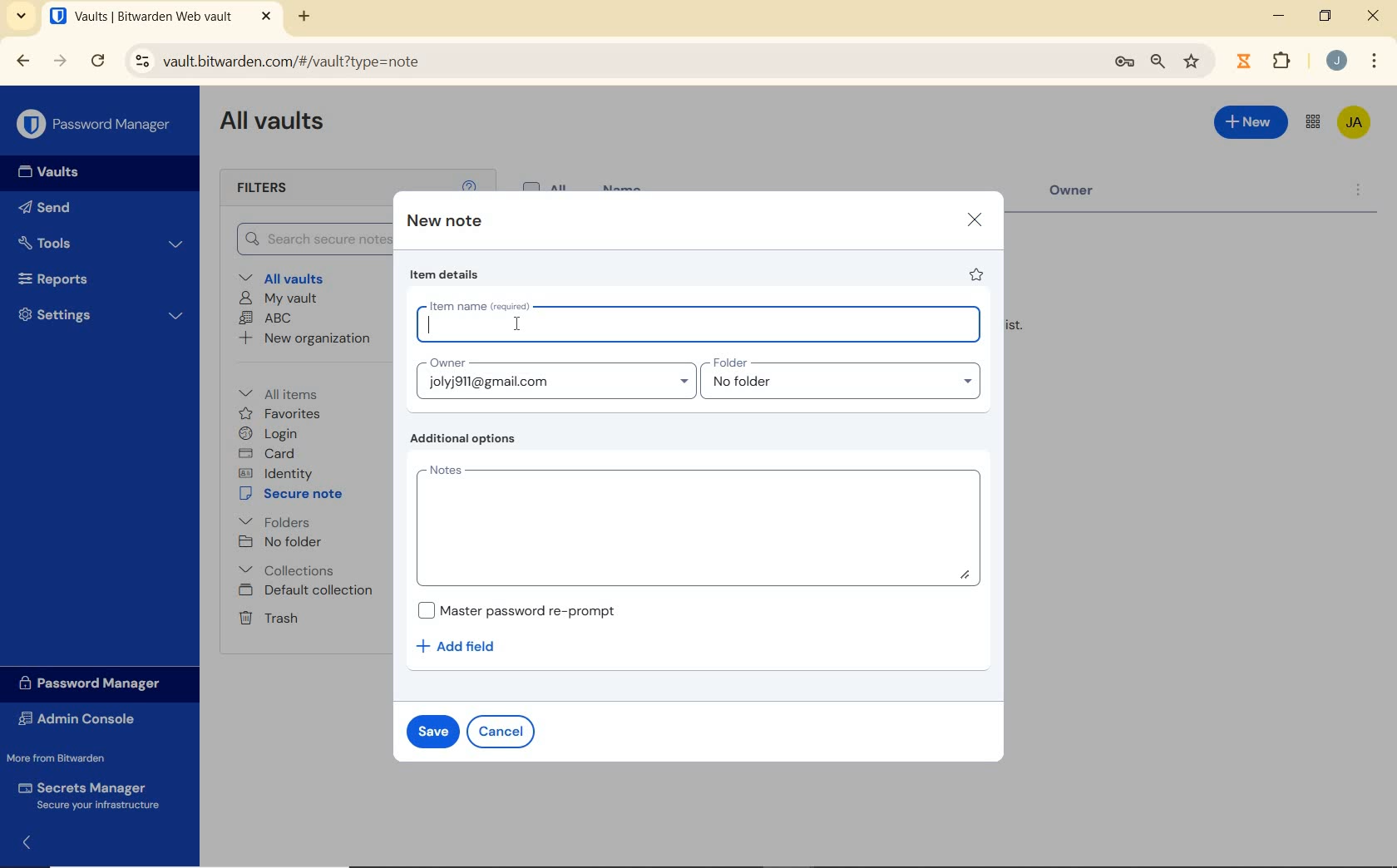 This screenshot has width=1397, height=868. I want to click on Account, so click(1335, 60).